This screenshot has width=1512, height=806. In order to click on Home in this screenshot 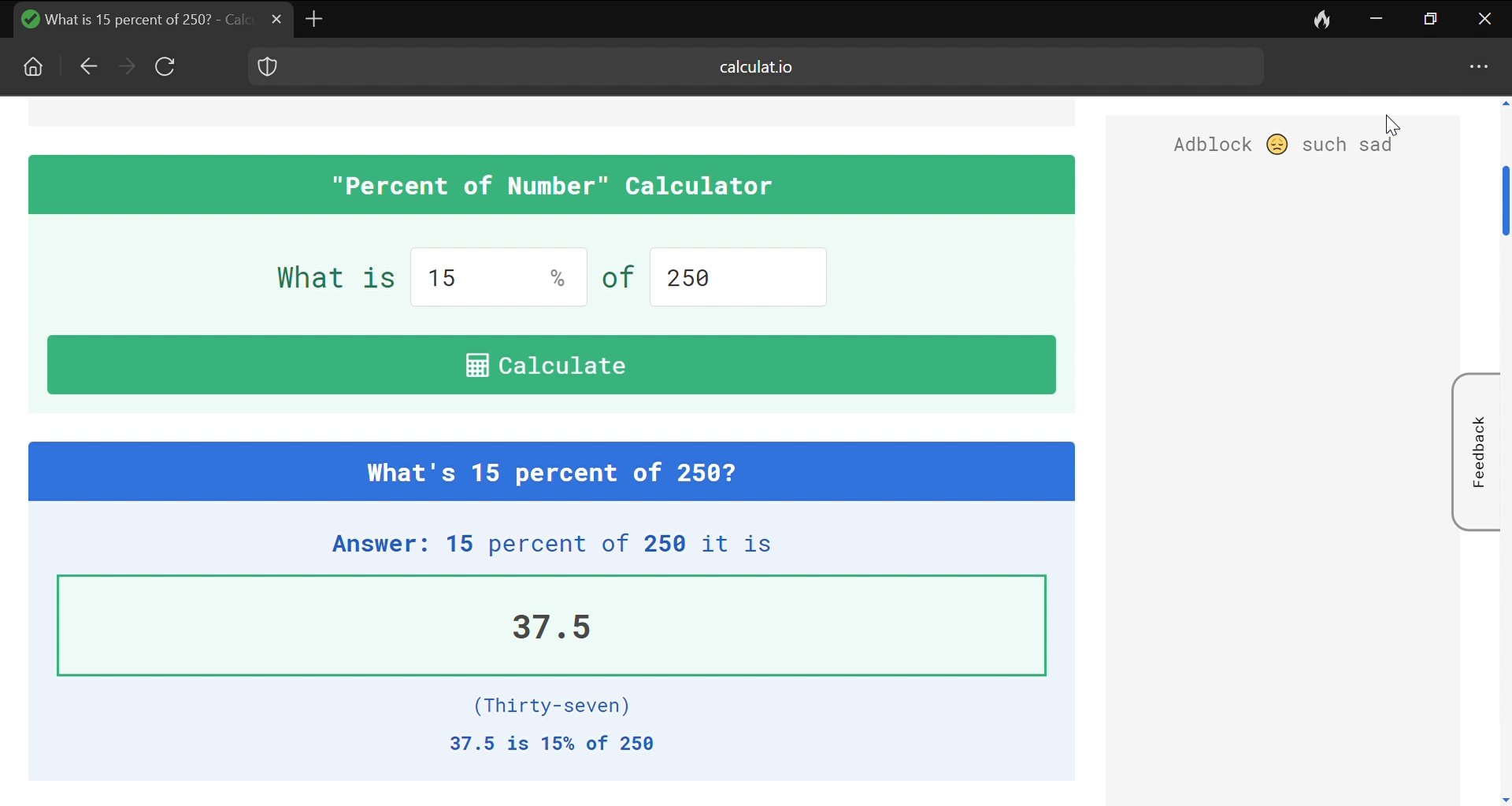, I will do `click(35, 67)`.